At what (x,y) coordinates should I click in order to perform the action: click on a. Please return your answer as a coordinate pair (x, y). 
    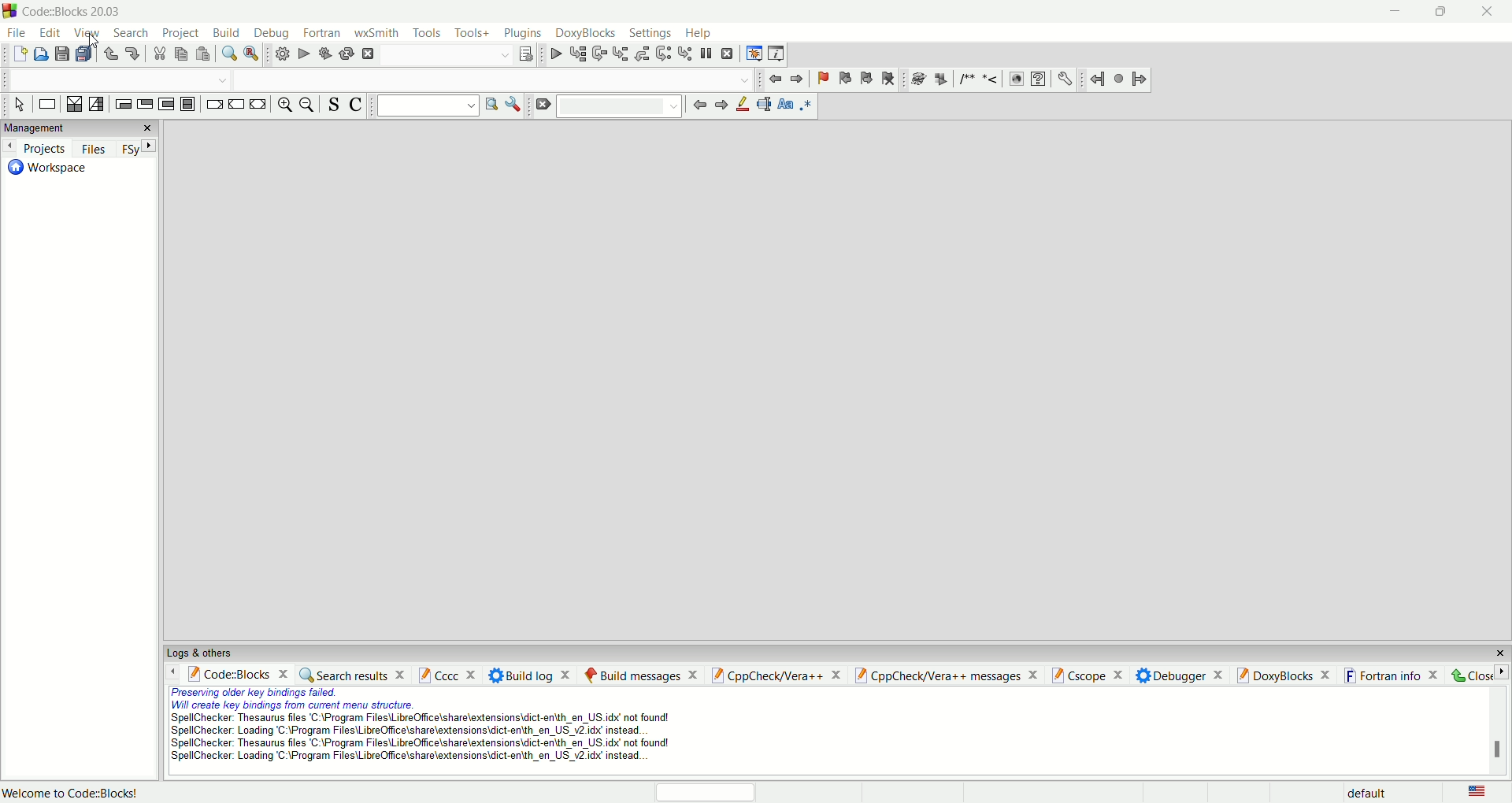
    Looking at the image, I should click on (367, 54).